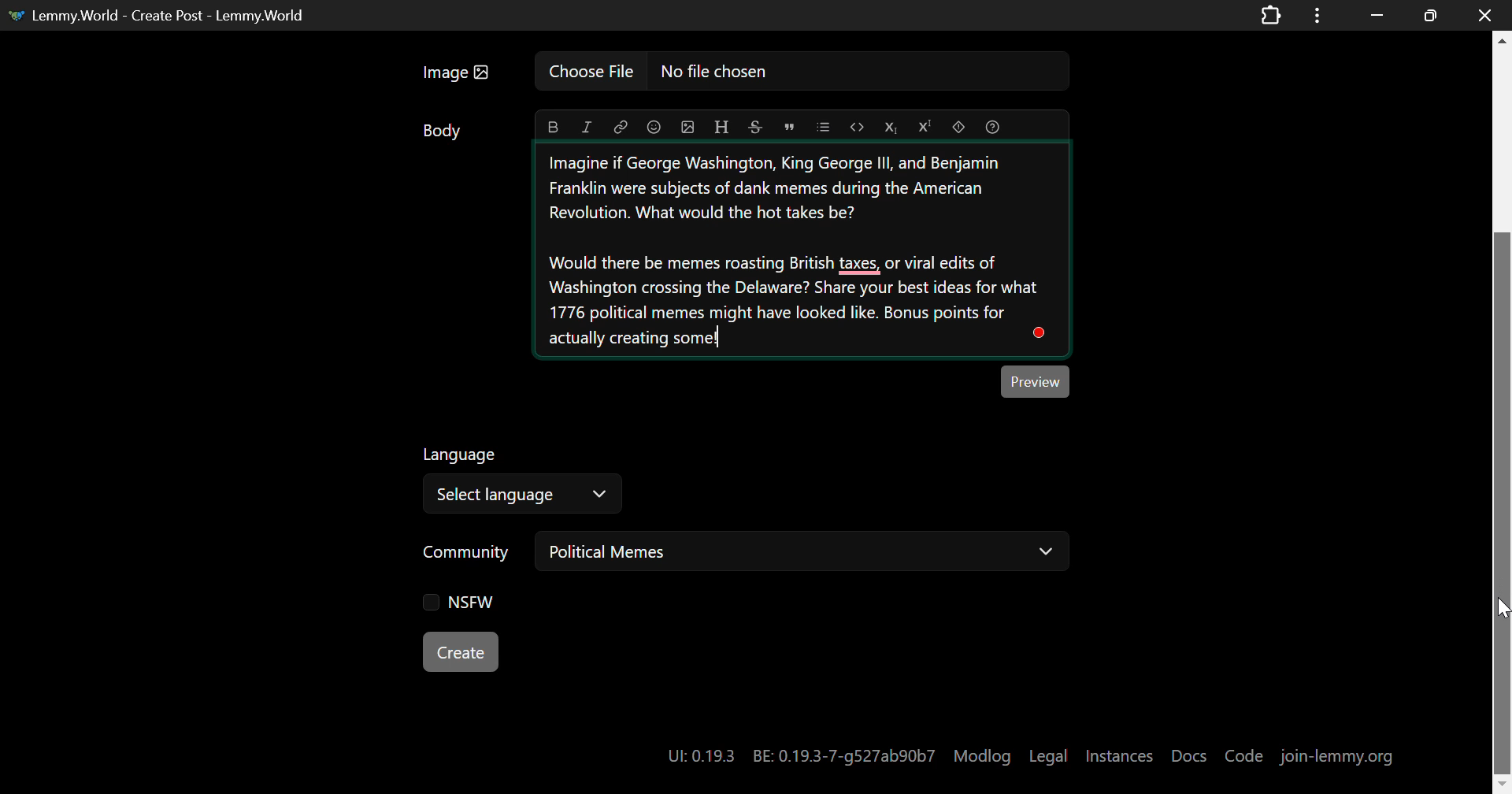  I want to click on Quote, so click(789, 127).